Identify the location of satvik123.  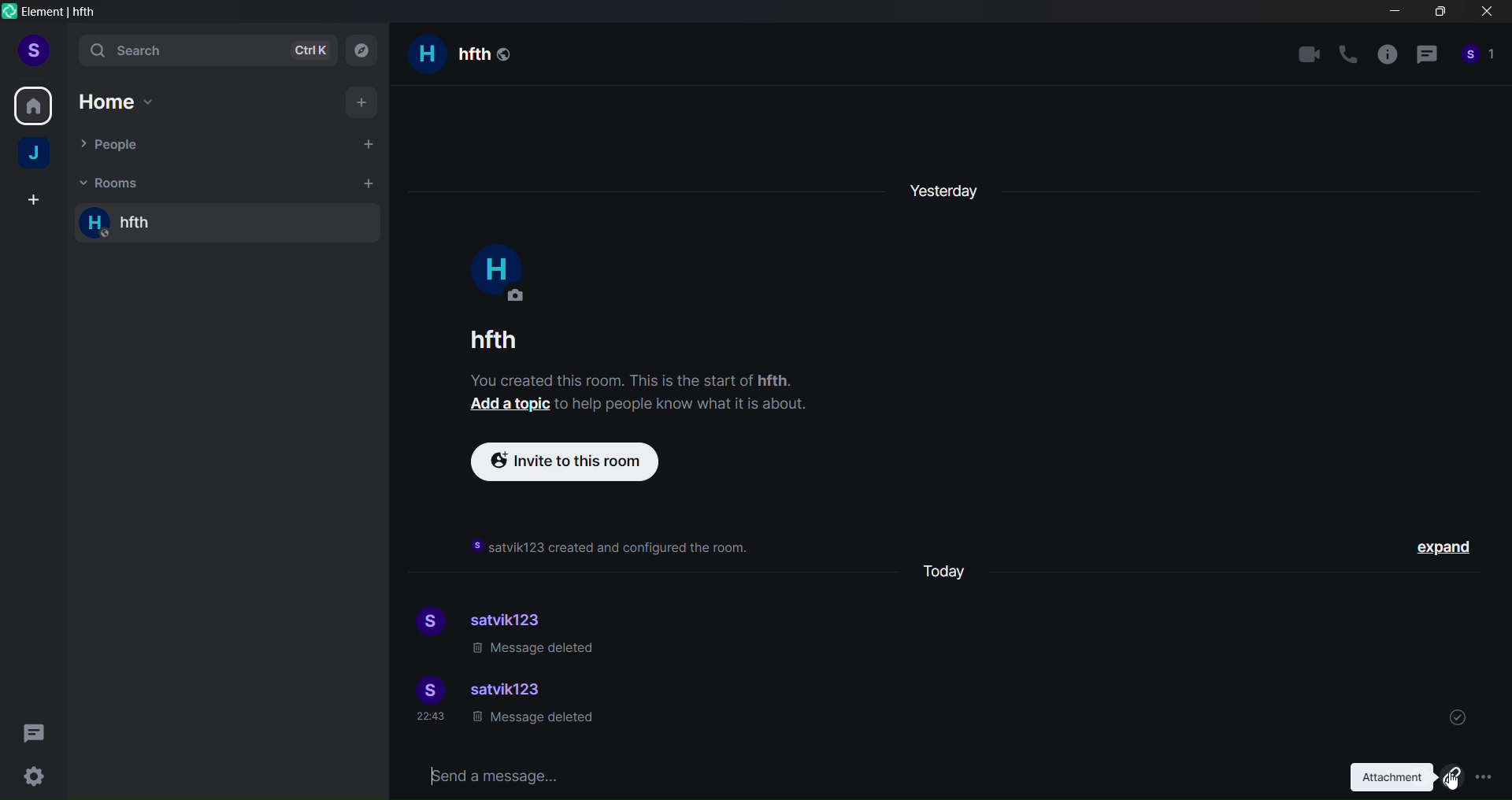
(514, 617).